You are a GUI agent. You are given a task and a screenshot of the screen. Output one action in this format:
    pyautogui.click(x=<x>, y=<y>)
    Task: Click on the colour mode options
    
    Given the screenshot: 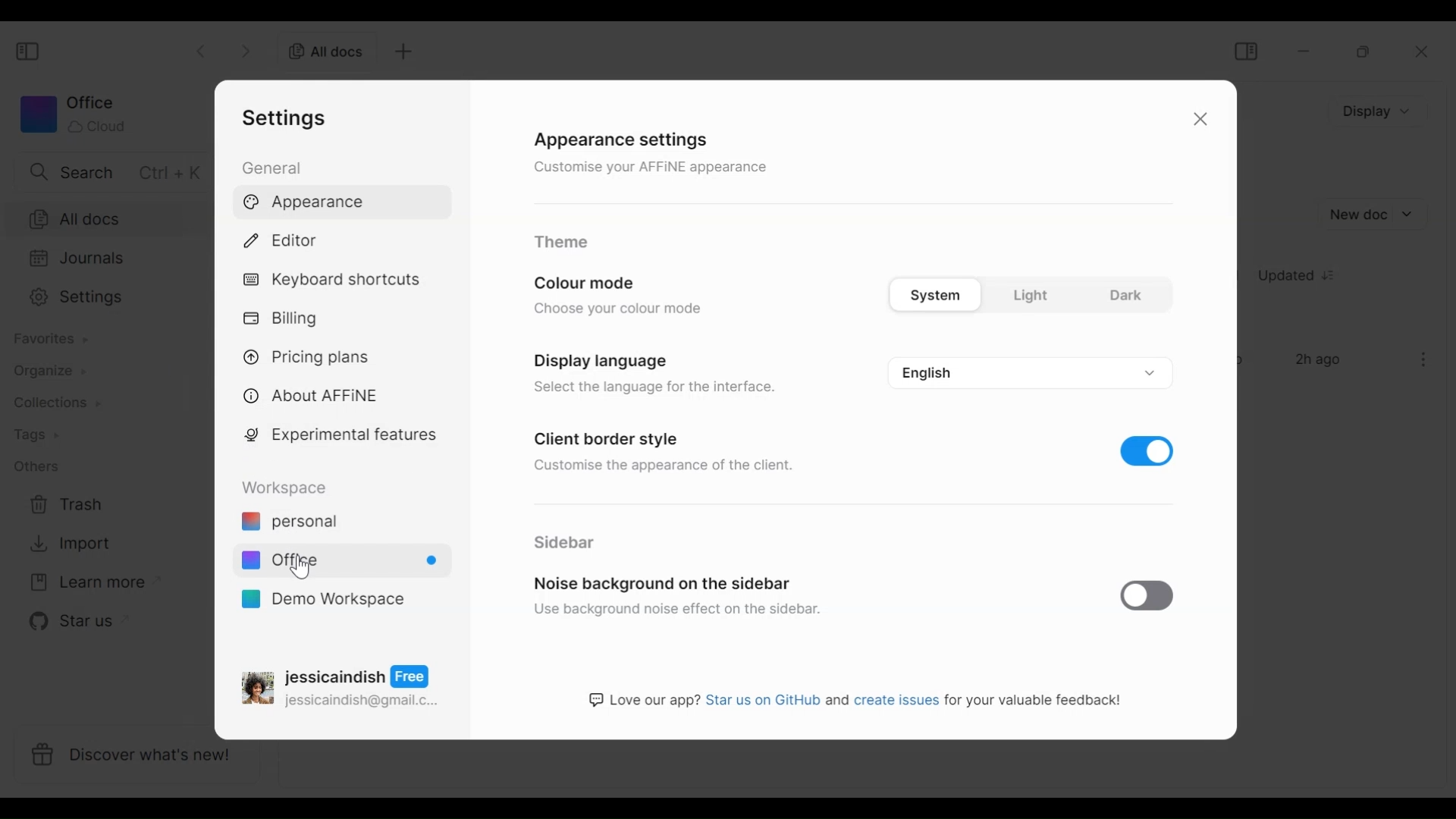 What is the action you would take?
    pyautogui.click(x=1028, y=292)
    